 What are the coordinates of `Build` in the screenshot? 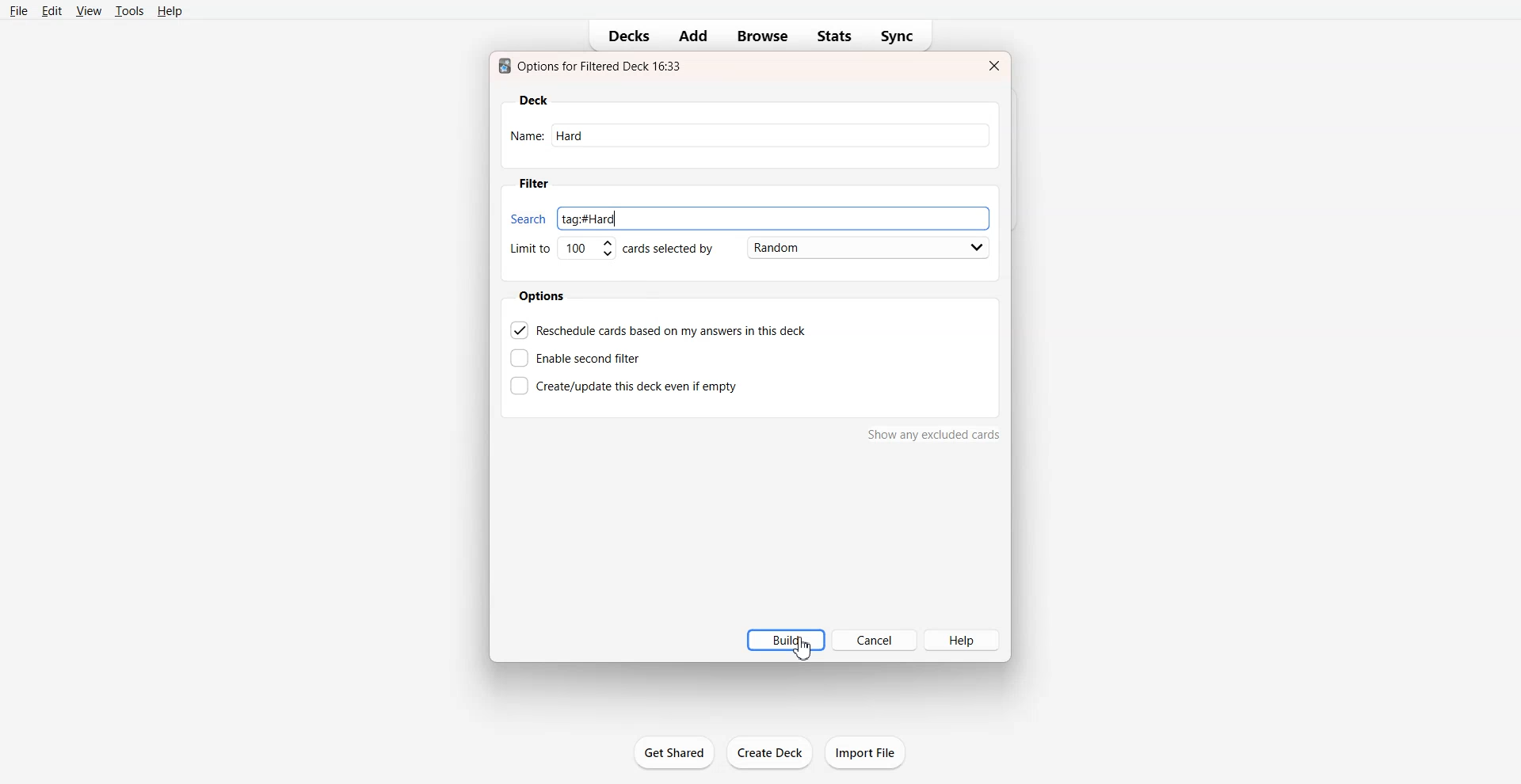 It's located at (780, 640).